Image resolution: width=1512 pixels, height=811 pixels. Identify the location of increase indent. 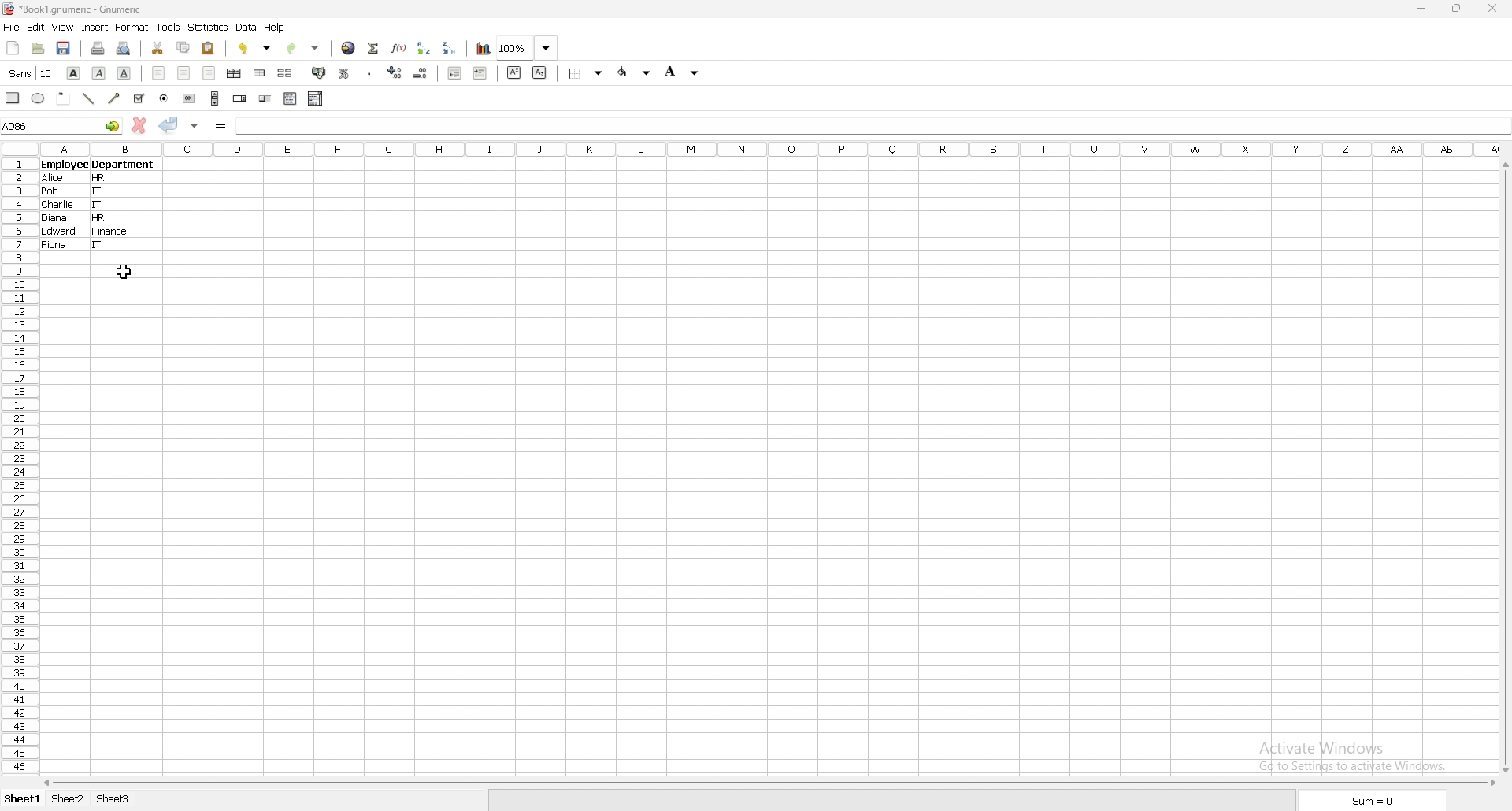
(480, 73).